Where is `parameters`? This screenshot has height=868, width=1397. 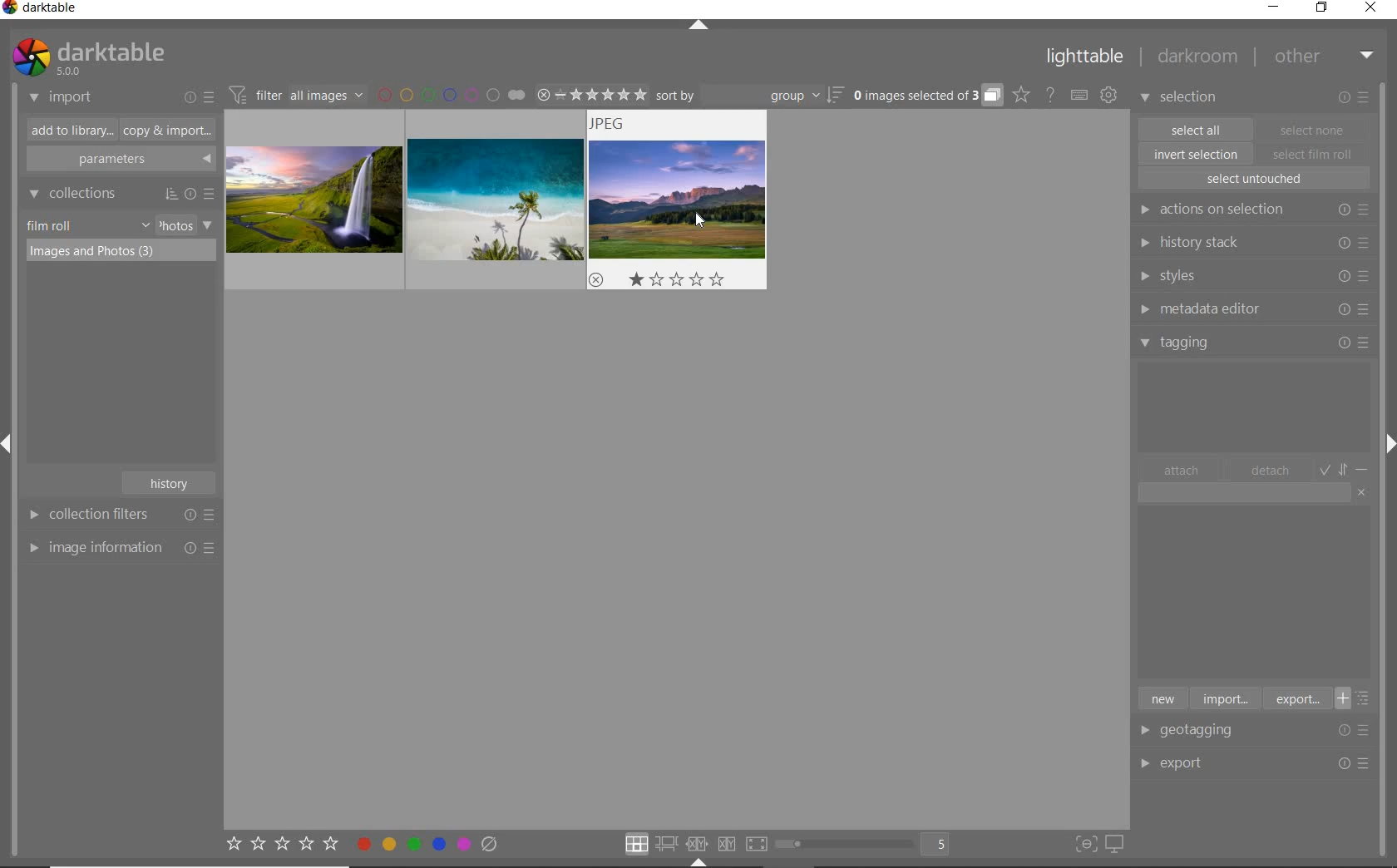
parameters is located at coordinates (119, 160).